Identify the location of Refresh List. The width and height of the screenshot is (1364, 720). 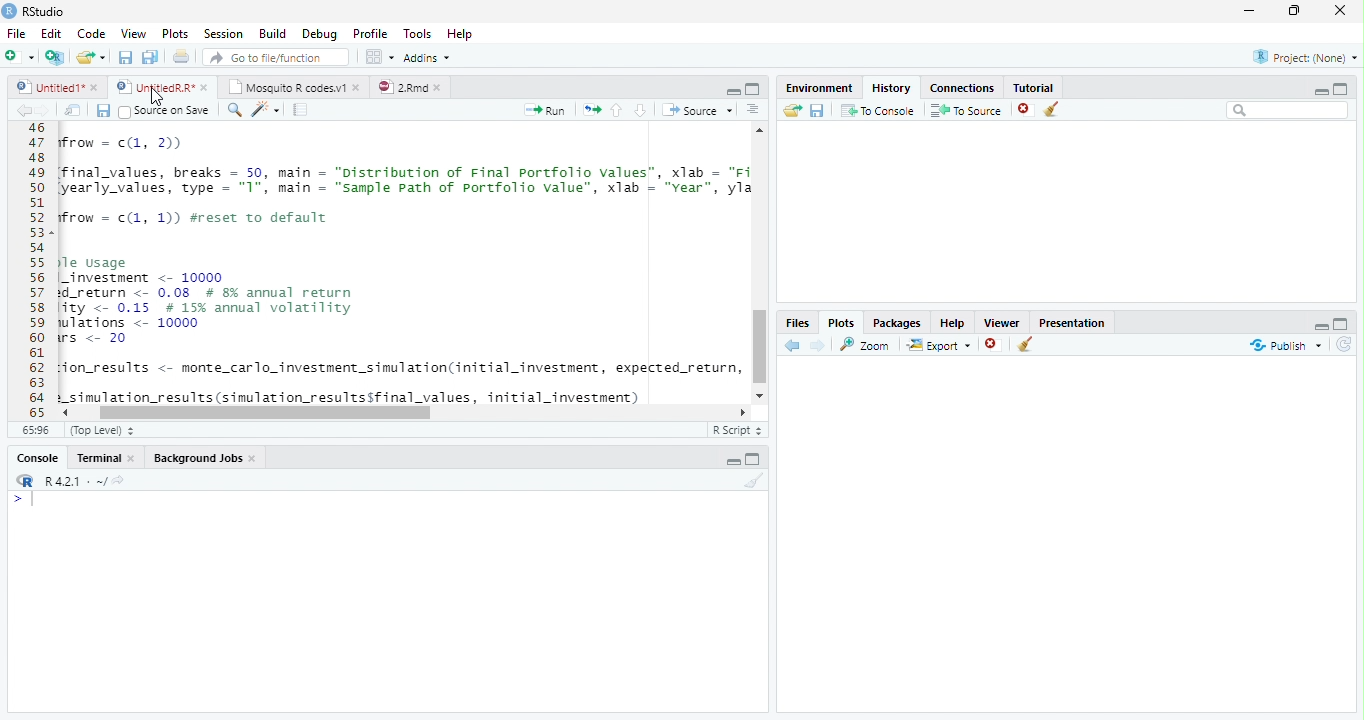
(1345, 345).